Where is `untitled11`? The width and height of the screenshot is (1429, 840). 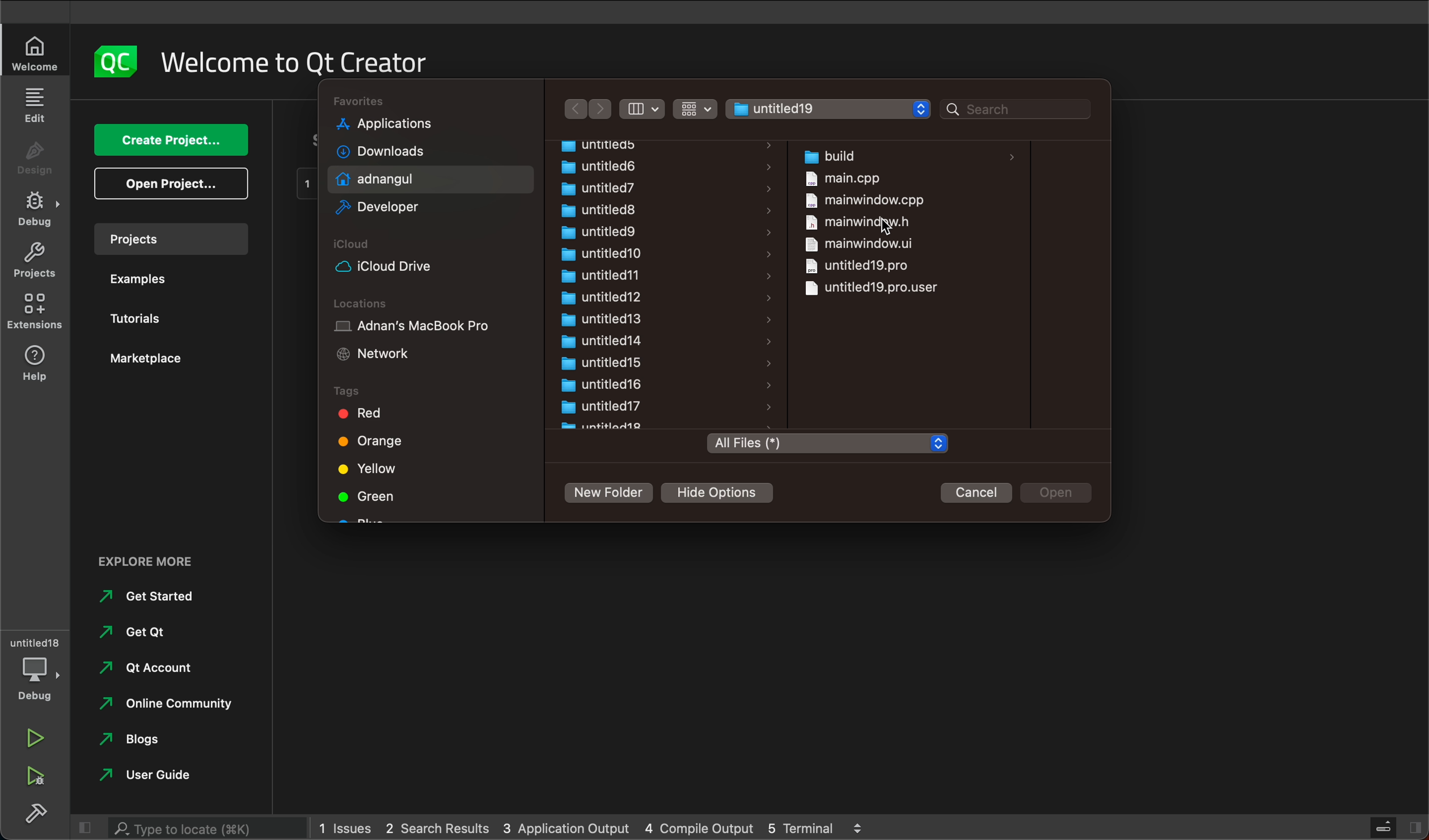
untitled11 is located at coordinates (601, 276).